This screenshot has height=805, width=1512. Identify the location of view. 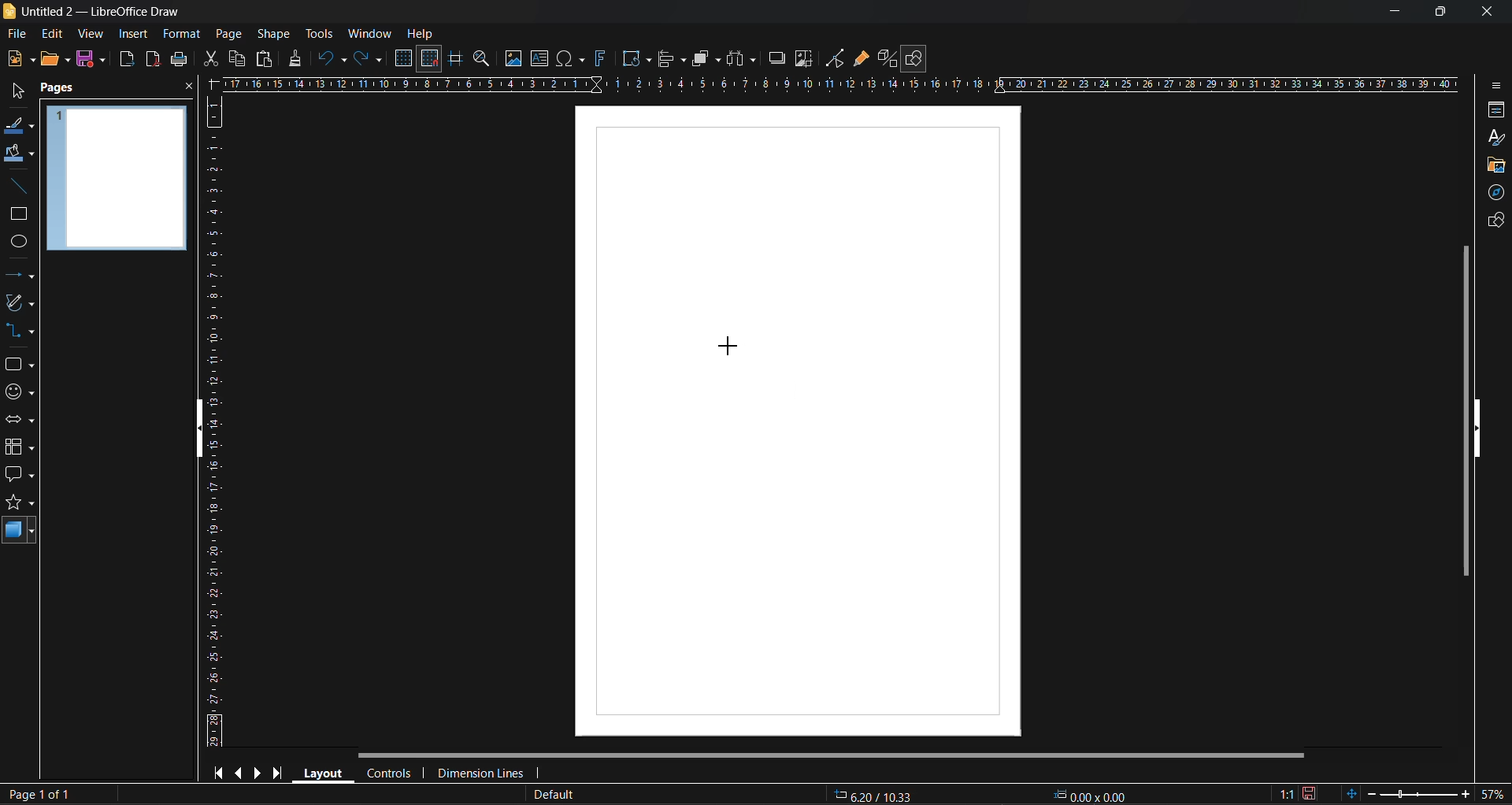
(92, 35).